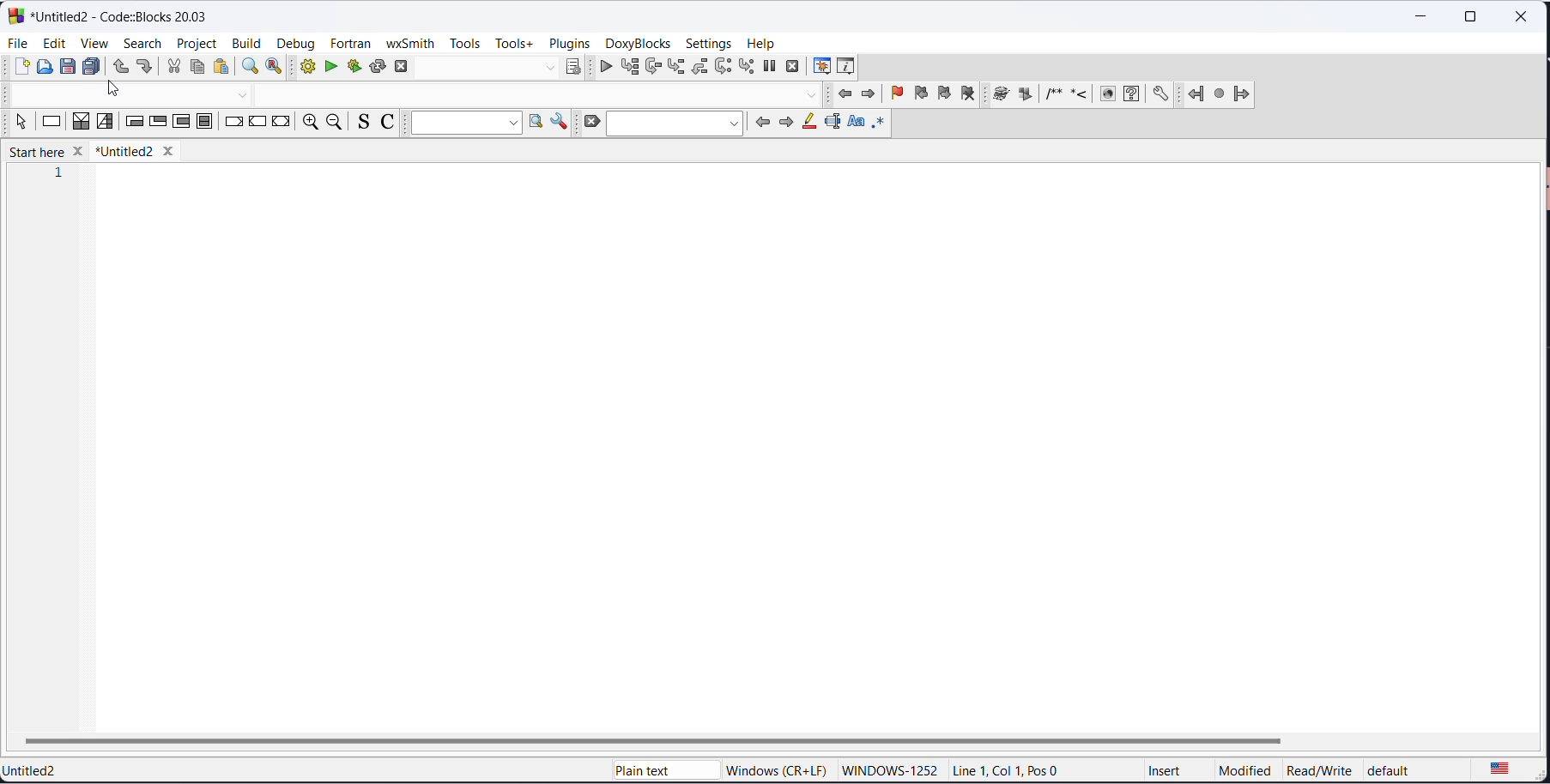  What do you see at coordinates (329, 68) in the screenshot?
I see `run` at bounding box center [329, 68].